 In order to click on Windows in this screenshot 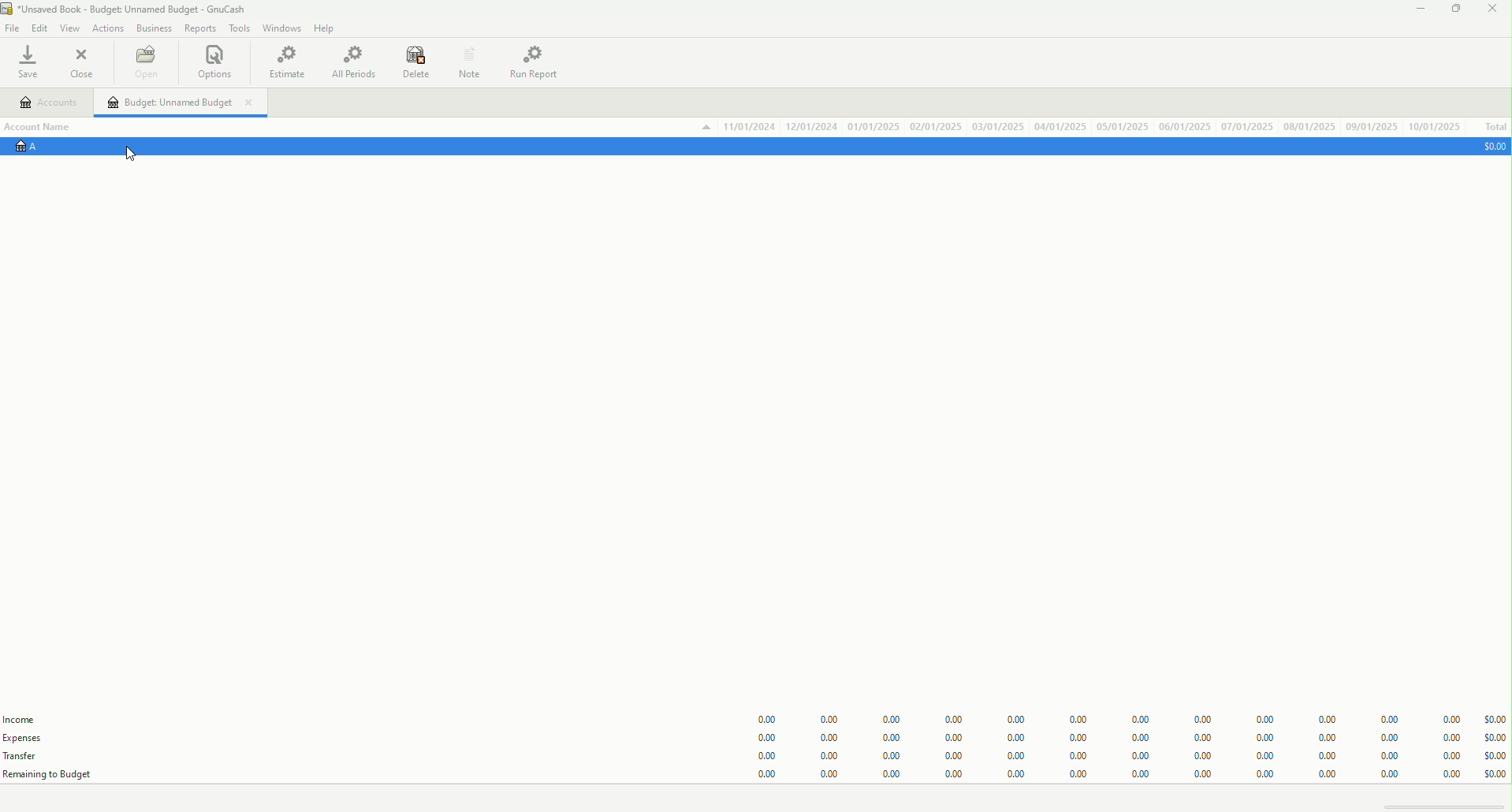, I will do `click(283, 27)`.